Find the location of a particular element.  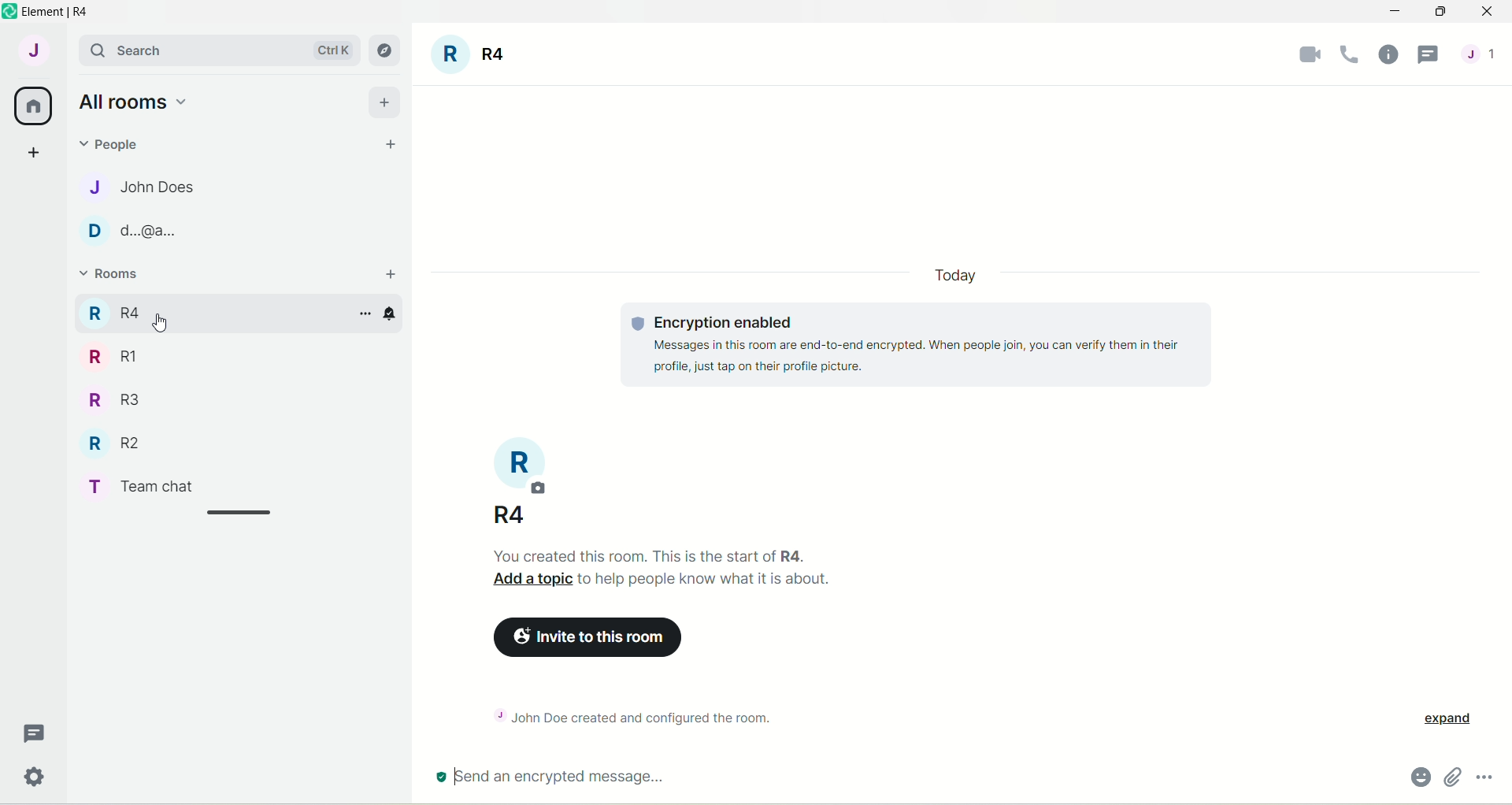

© Encryption enabled
Messages in this room are end-to-end encrypted. When people join, you can verify them in their
profile, just tap on their profile picture. is located at coordinates (902, 351).